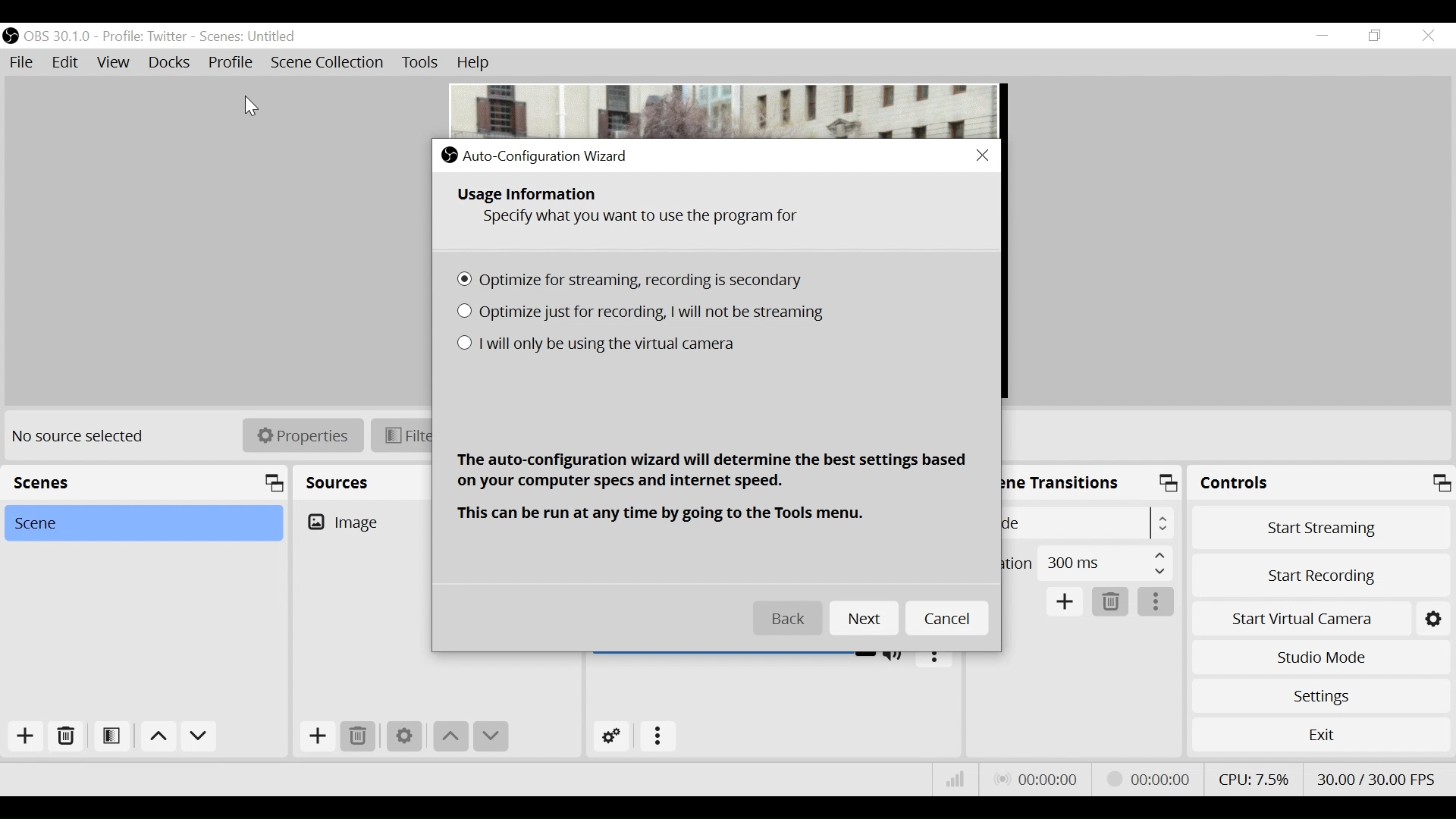 The width and height of the screenshot is (1456, 819). Describe the element at coordinates (108, 739) in the screenshot. I see `Open Scene Filter ` at that location.